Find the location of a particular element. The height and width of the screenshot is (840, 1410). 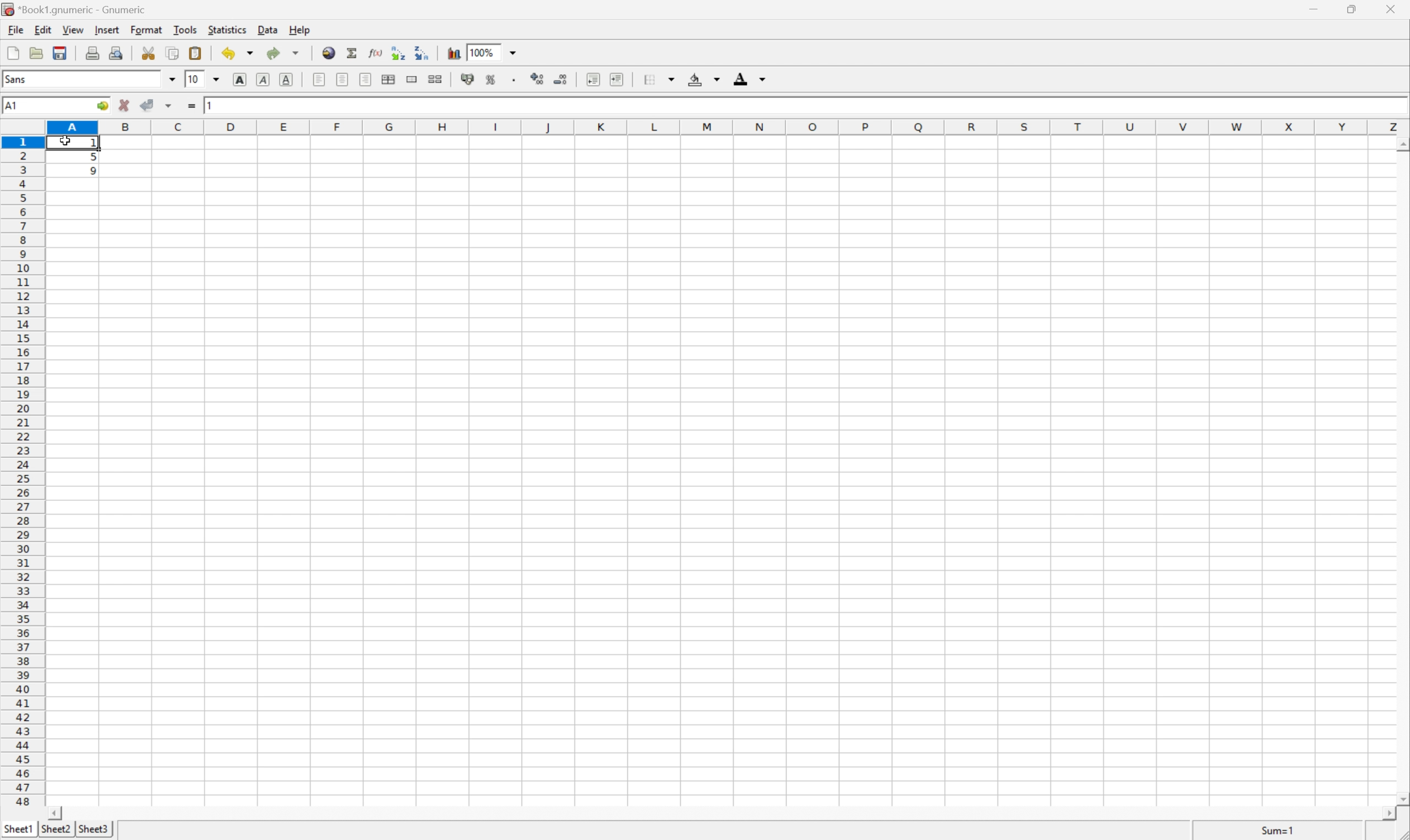

increase indent is located at coordinates (618, 79).